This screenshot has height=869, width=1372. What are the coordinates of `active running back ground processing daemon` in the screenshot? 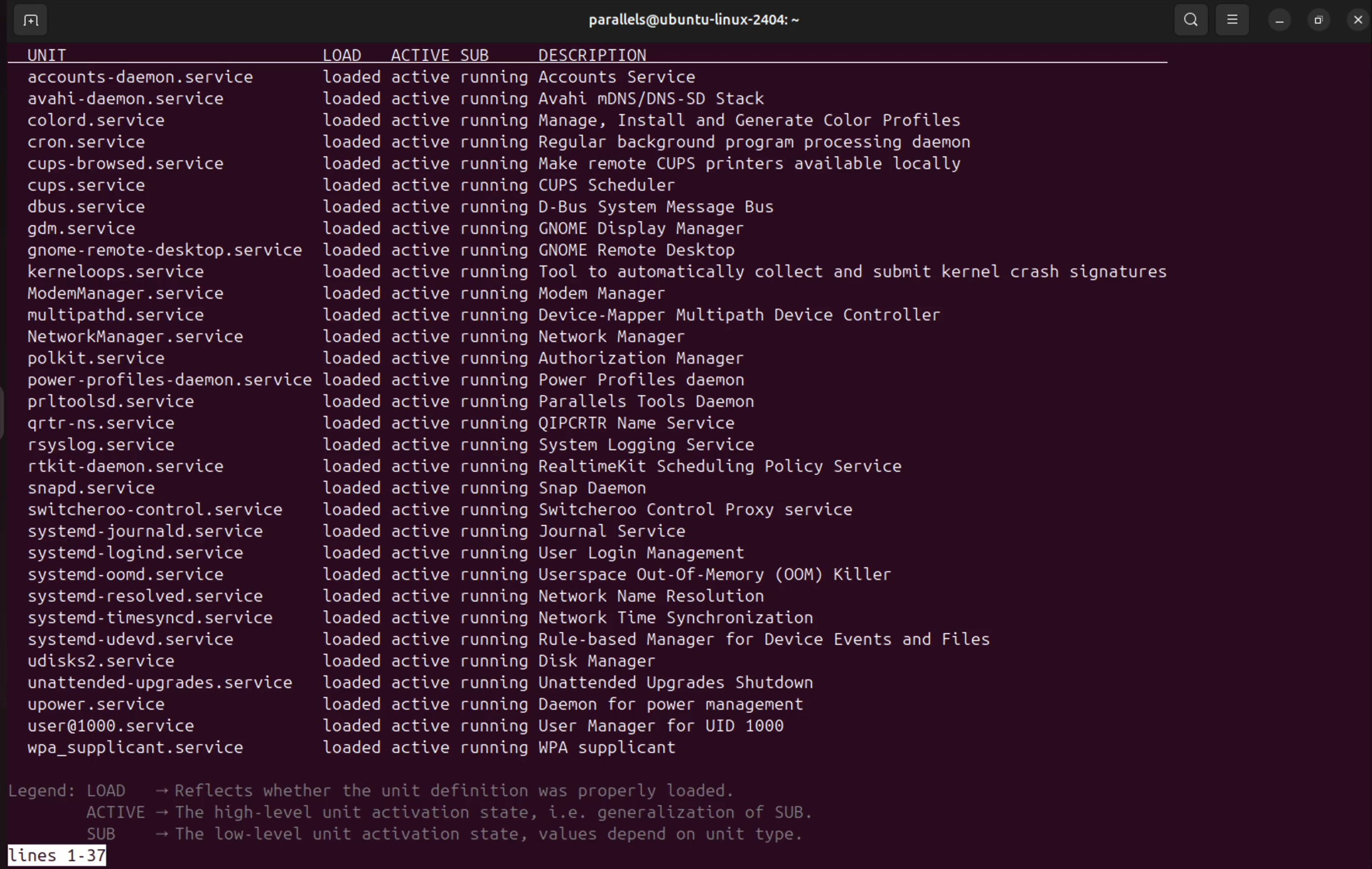 It's located at (688, 143).